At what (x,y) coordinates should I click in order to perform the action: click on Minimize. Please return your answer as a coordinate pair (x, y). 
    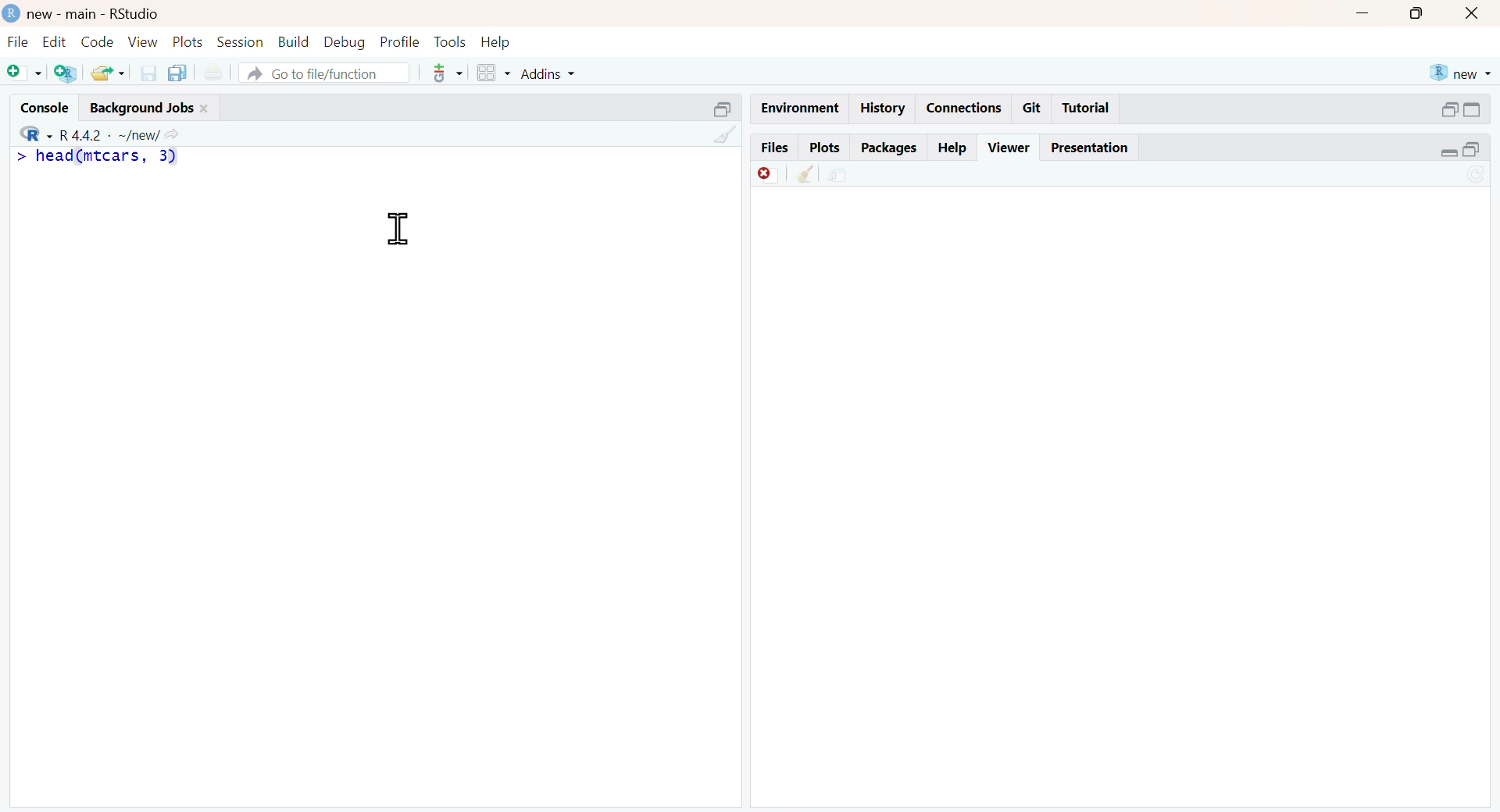
    Looking at the image, I should click on (712, 107).